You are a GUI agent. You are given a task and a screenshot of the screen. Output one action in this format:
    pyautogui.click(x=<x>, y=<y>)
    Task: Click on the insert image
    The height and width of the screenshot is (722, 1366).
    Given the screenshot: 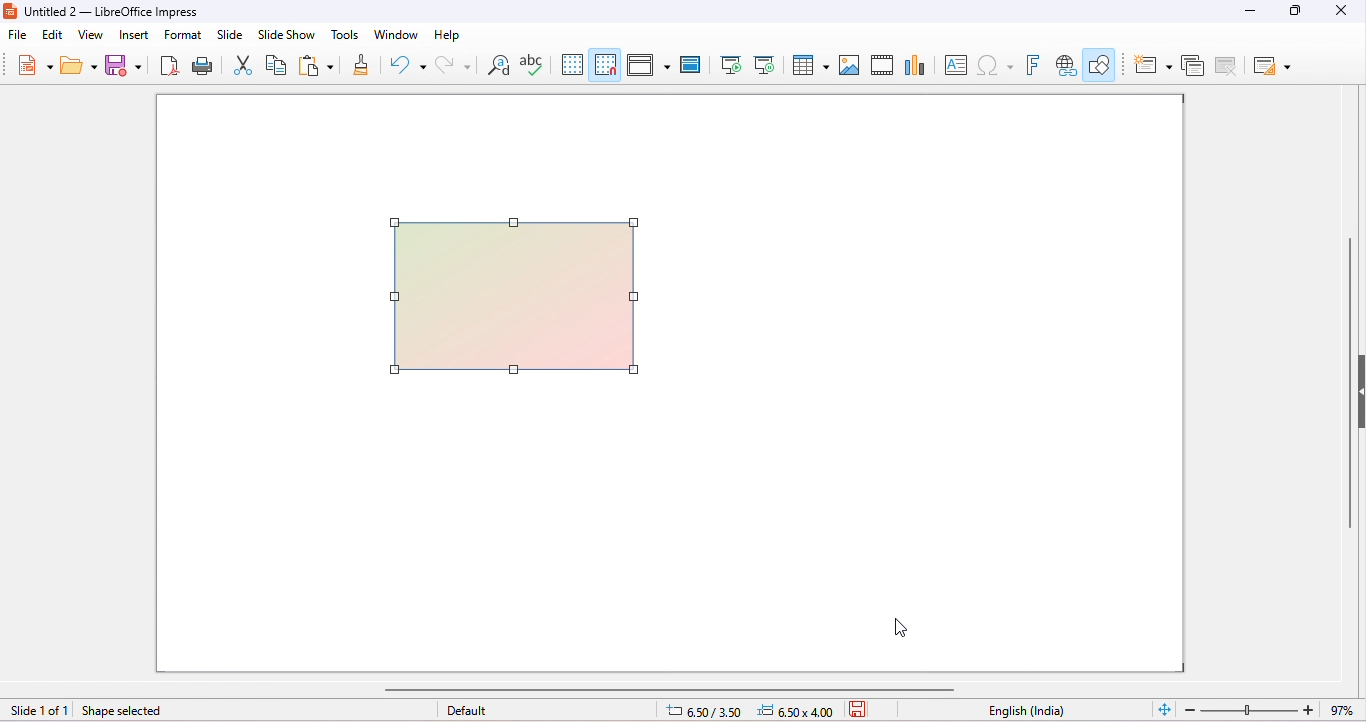 What is the action you would take?
    pyautogui.click(x=849, y=64)
    